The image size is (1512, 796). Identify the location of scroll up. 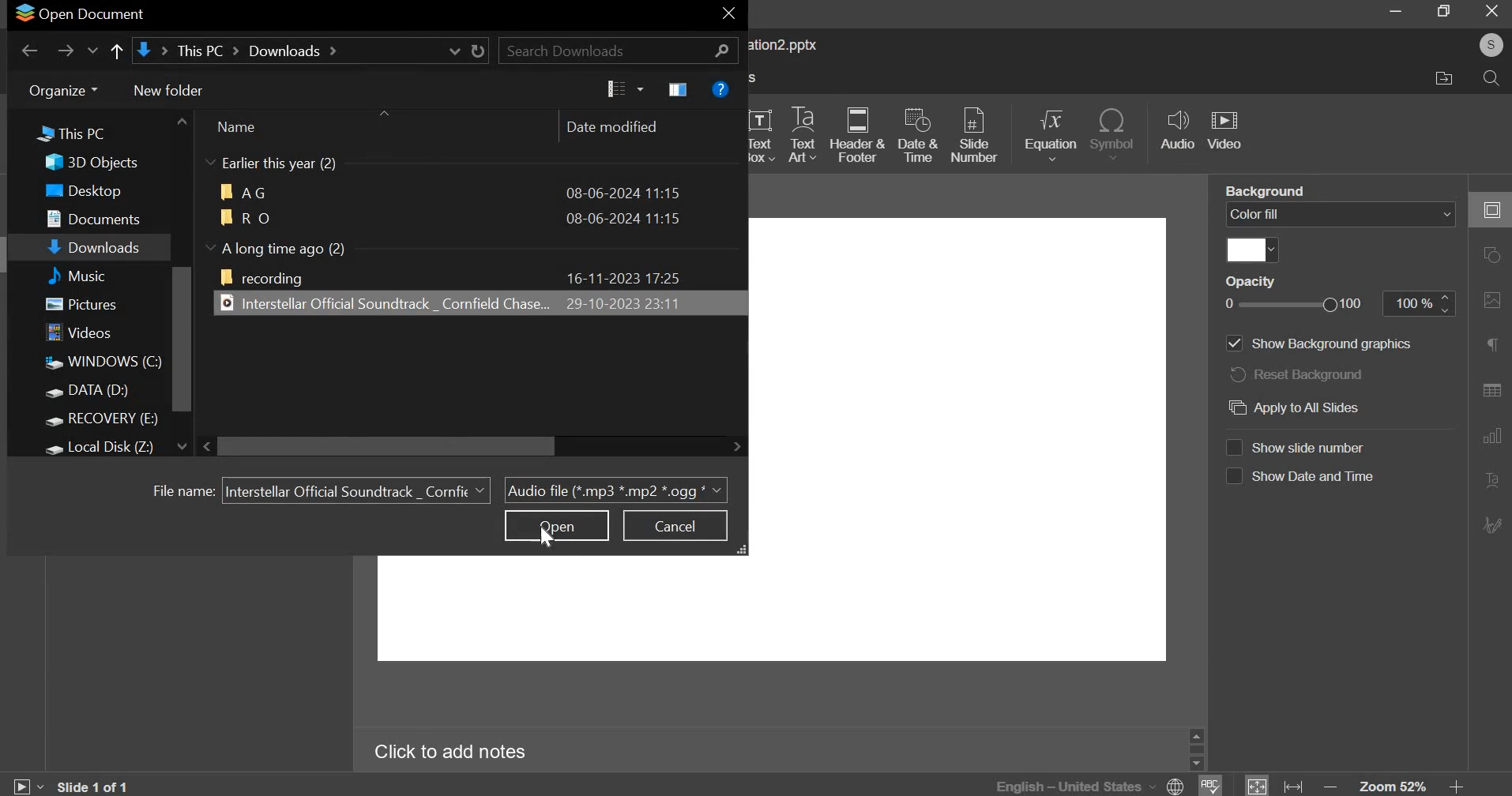
(1196, 736).